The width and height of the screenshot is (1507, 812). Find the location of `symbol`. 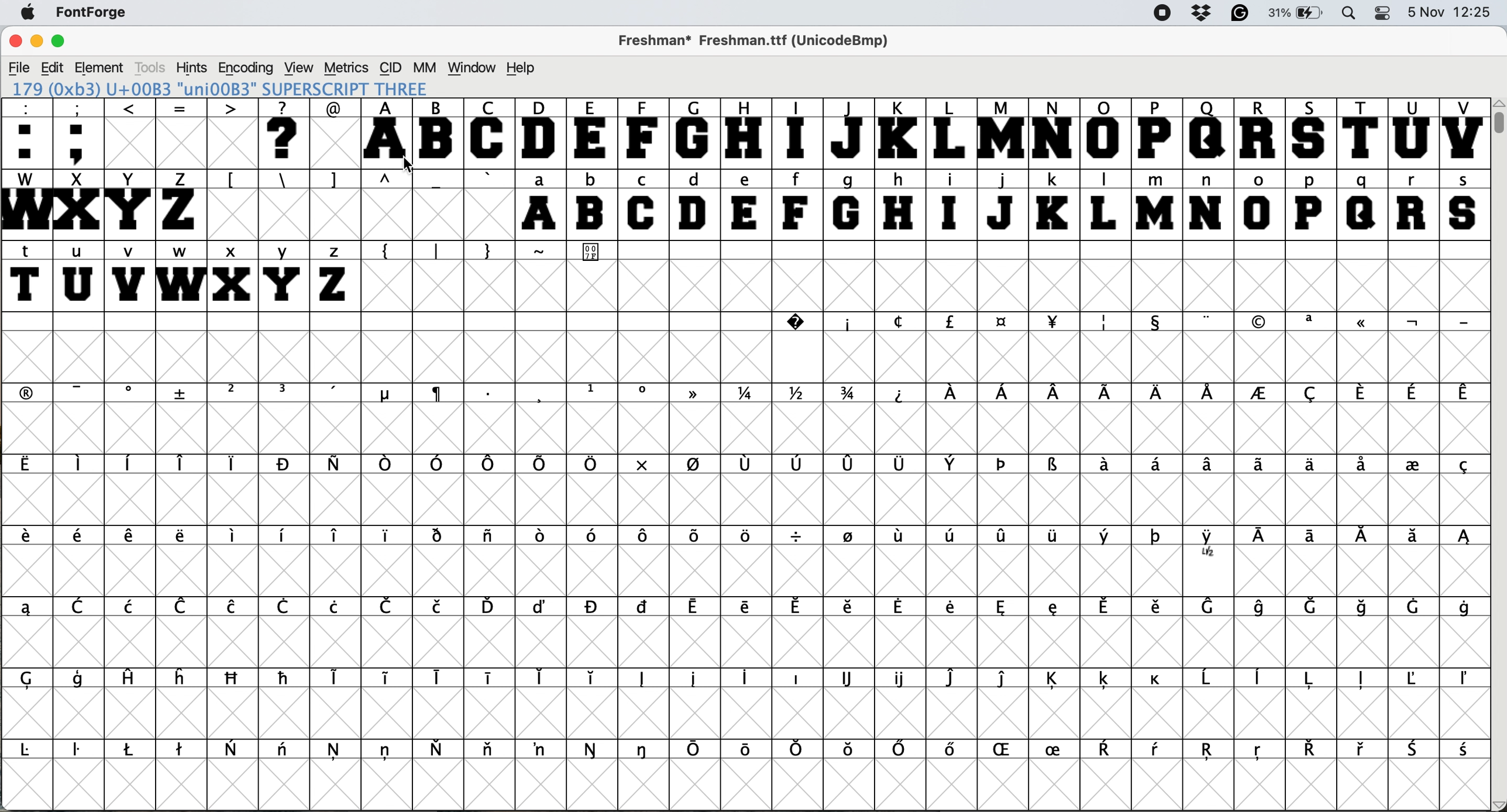

symbol is located at coordinates (951, 322).